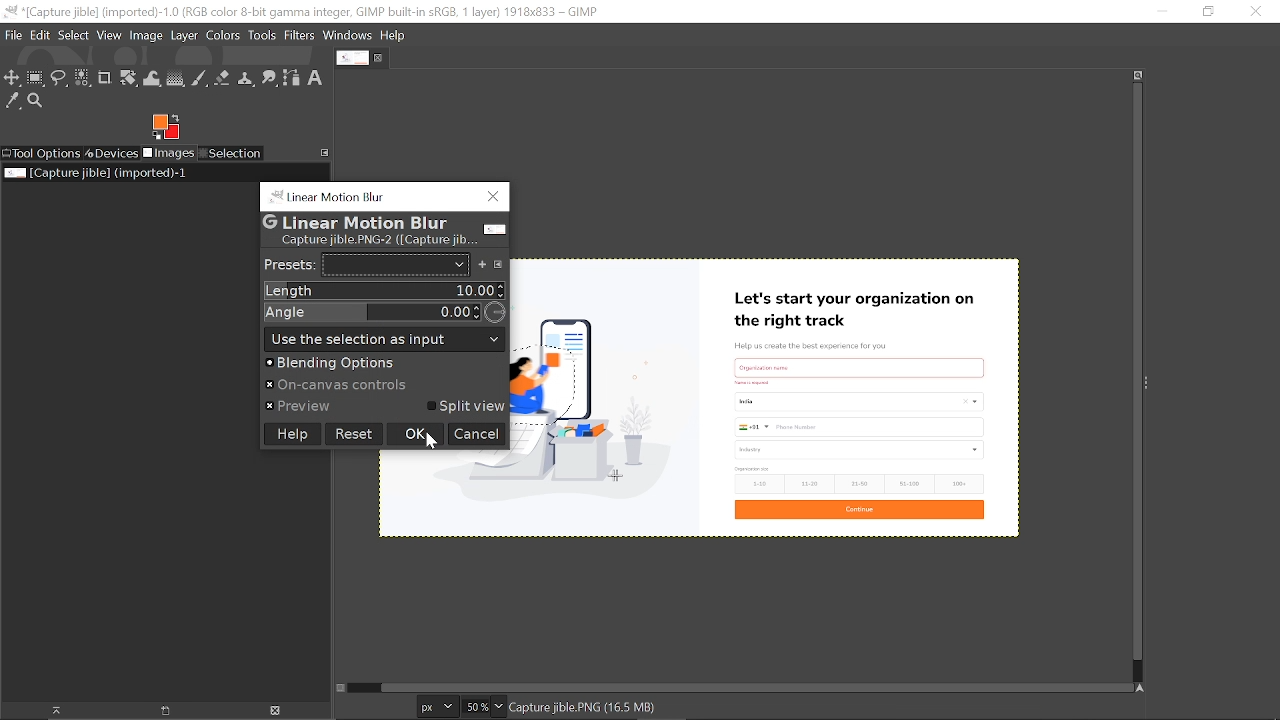 The image size is (1280, 720). I want to click on Length, so click(383, 290).